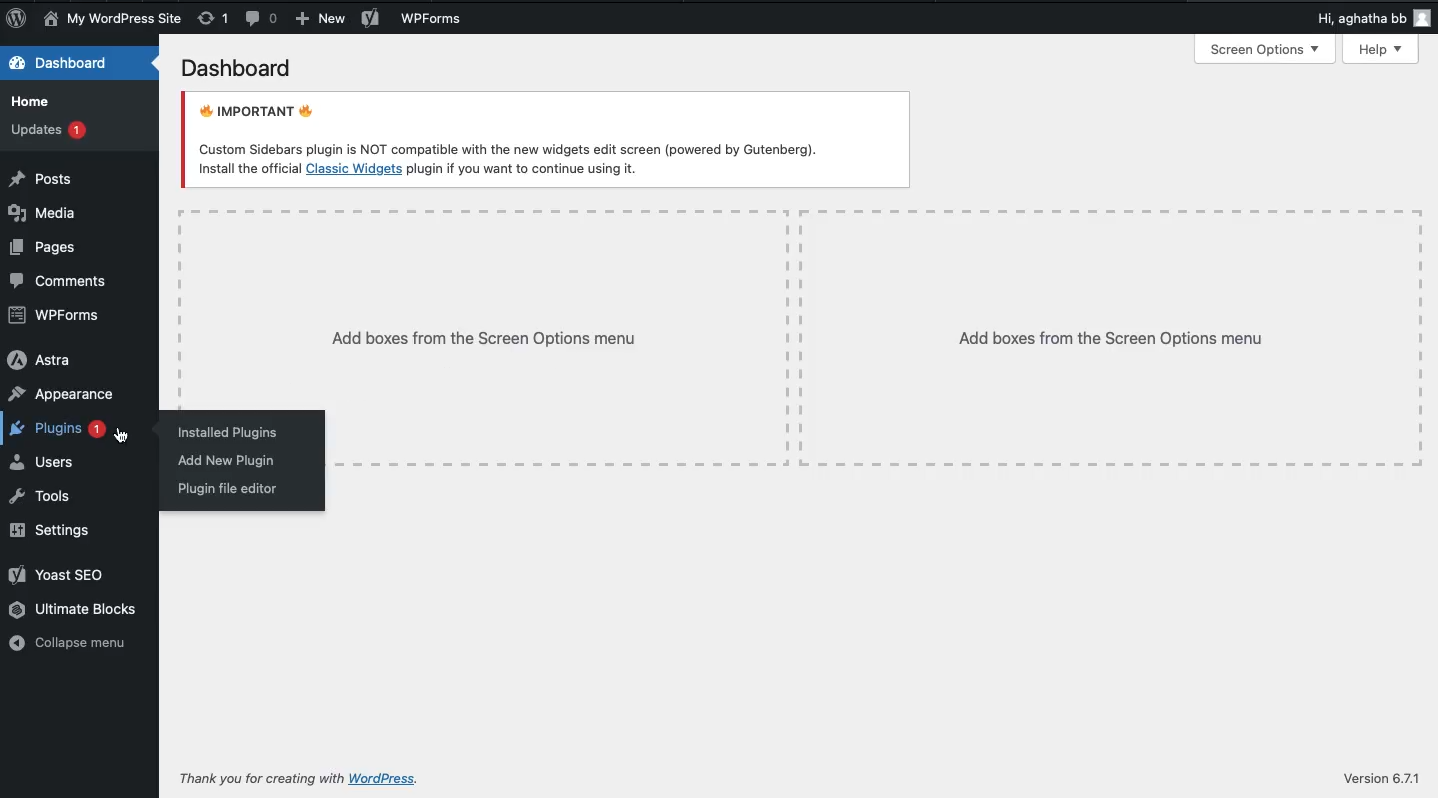  Describe the element at coordinates (238, 68) in the screenshot. I see `Dashboard` at that location.